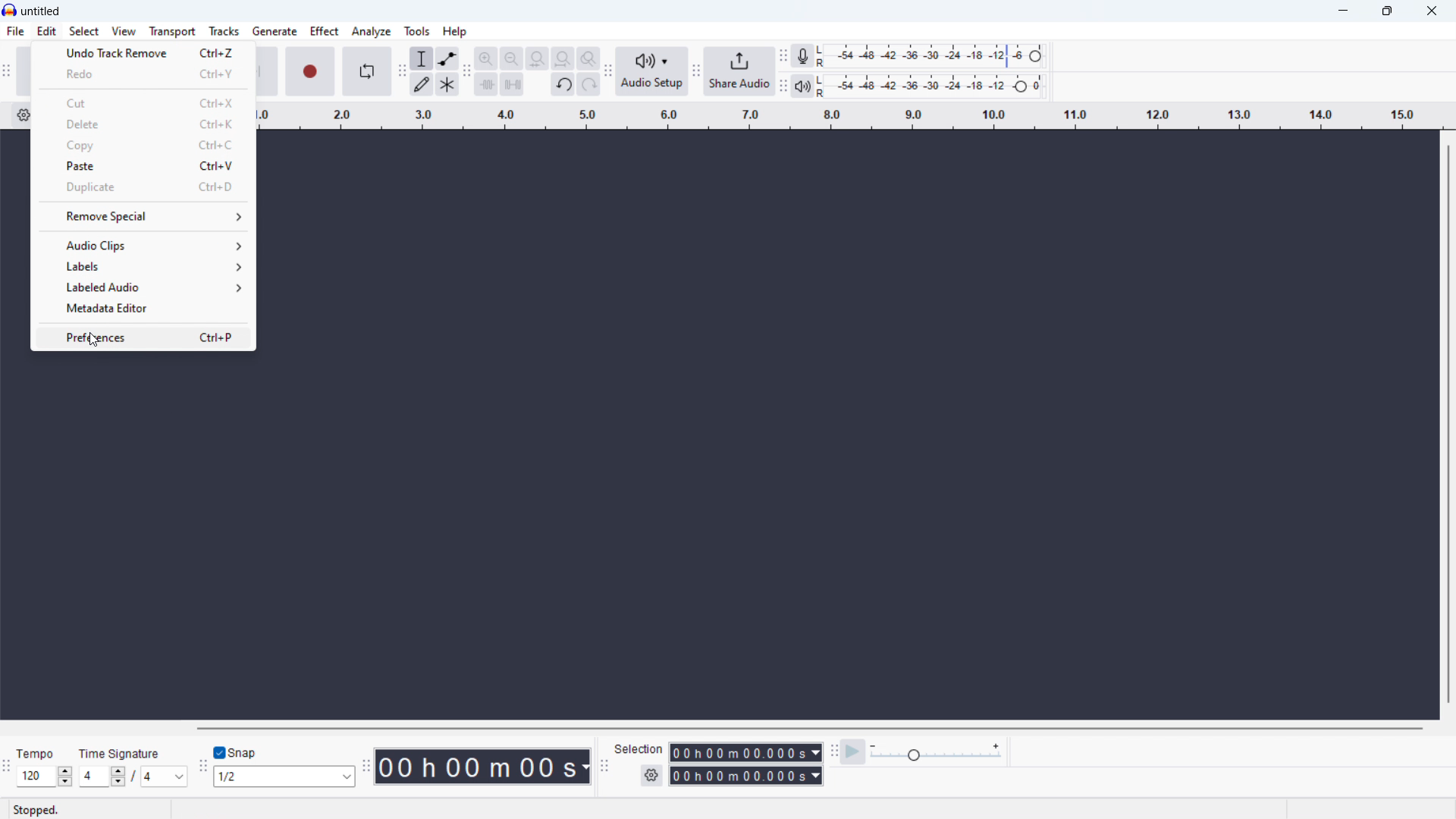 This screenshot has height=819, width=1456. What do you see at coordinates (422, 84) in the screenshot?
I see `draw tool` at bounding box center [422, 84].